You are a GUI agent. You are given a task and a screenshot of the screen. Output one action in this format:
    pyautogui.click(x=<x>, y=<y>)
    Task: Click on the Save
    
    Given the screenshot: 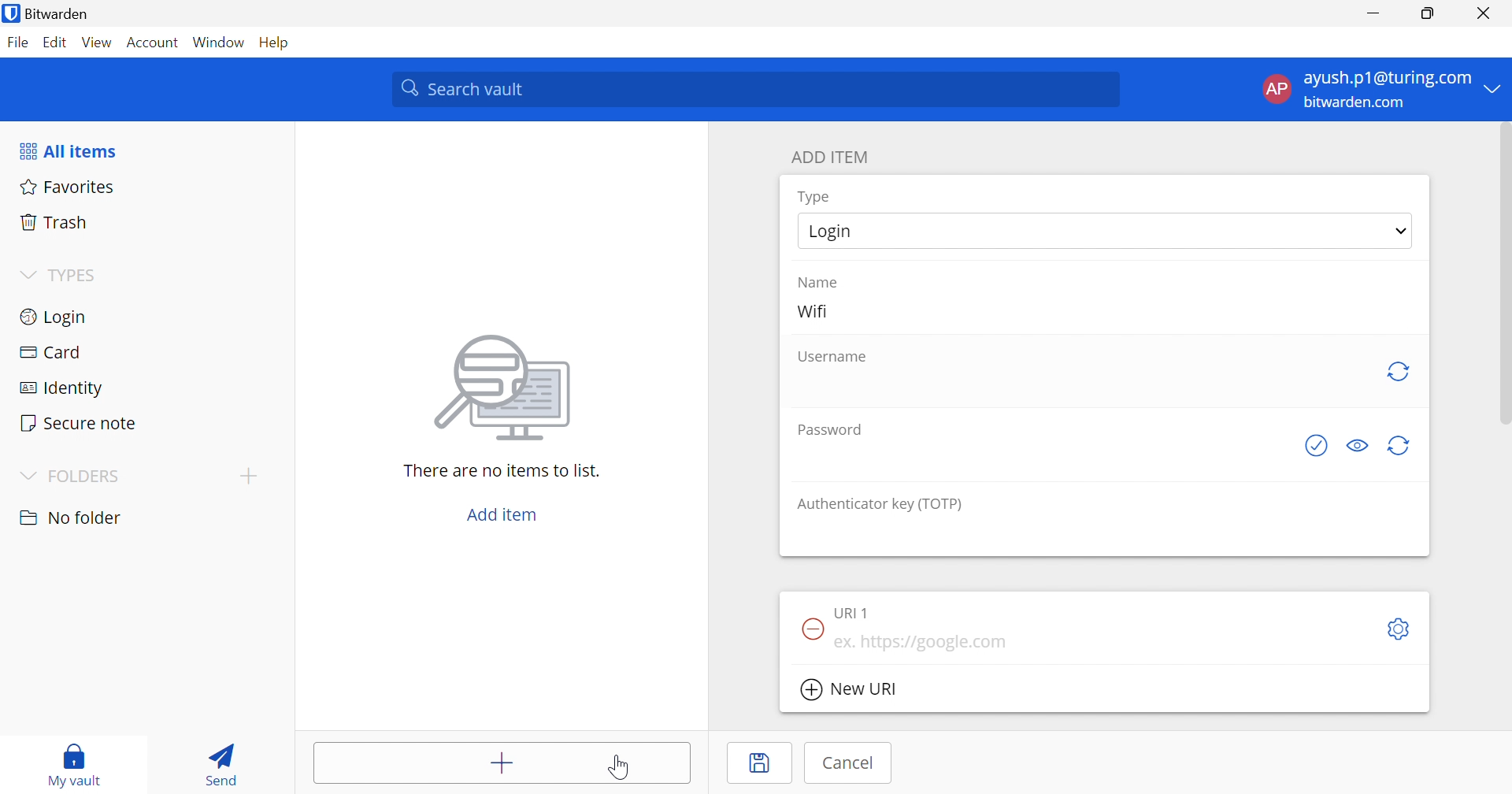 What is the action you would take?
    pyautogui.click(x=762, y=763)
    